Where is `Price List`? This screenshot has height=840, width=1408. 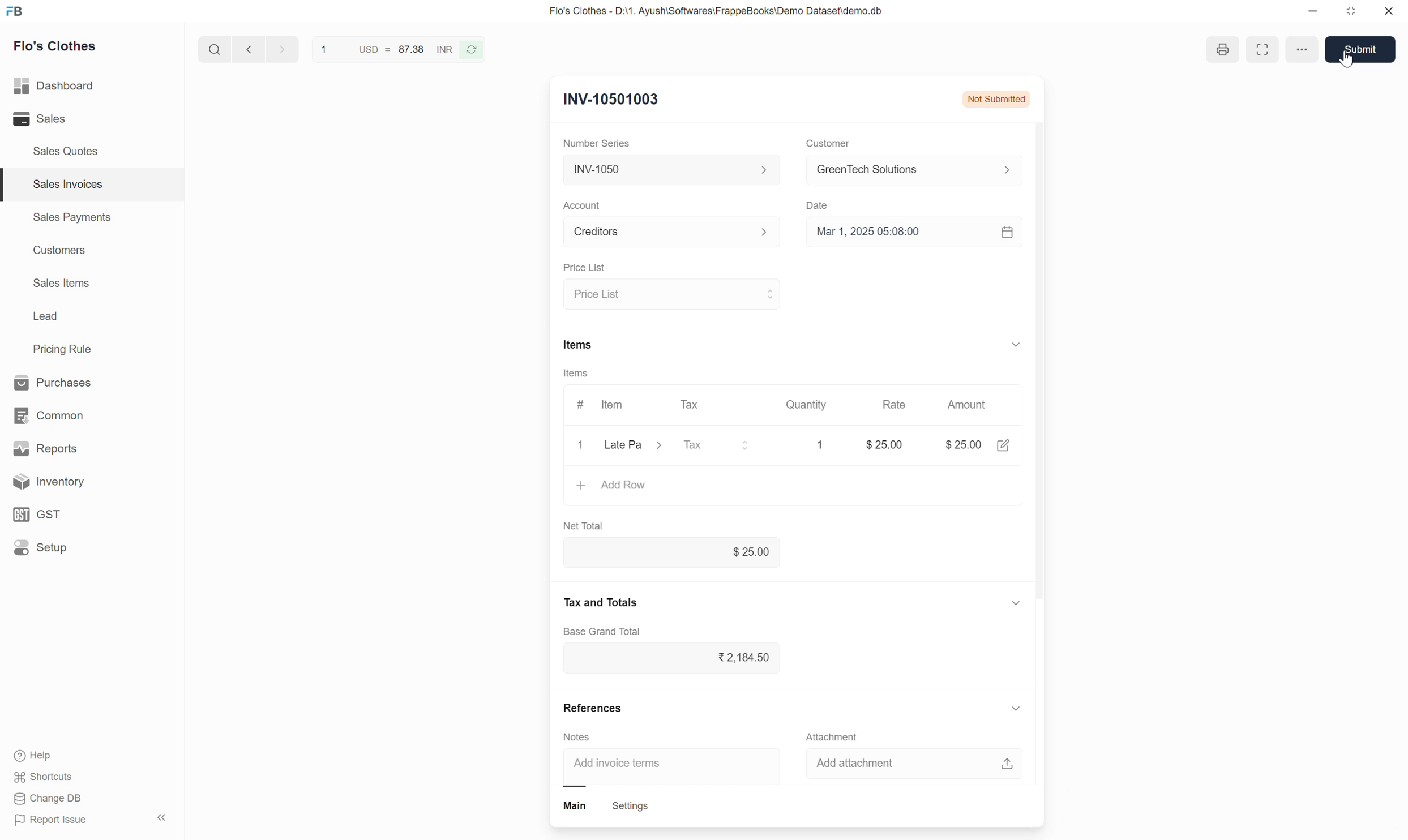 Price List is located at coordinates (582, 268).